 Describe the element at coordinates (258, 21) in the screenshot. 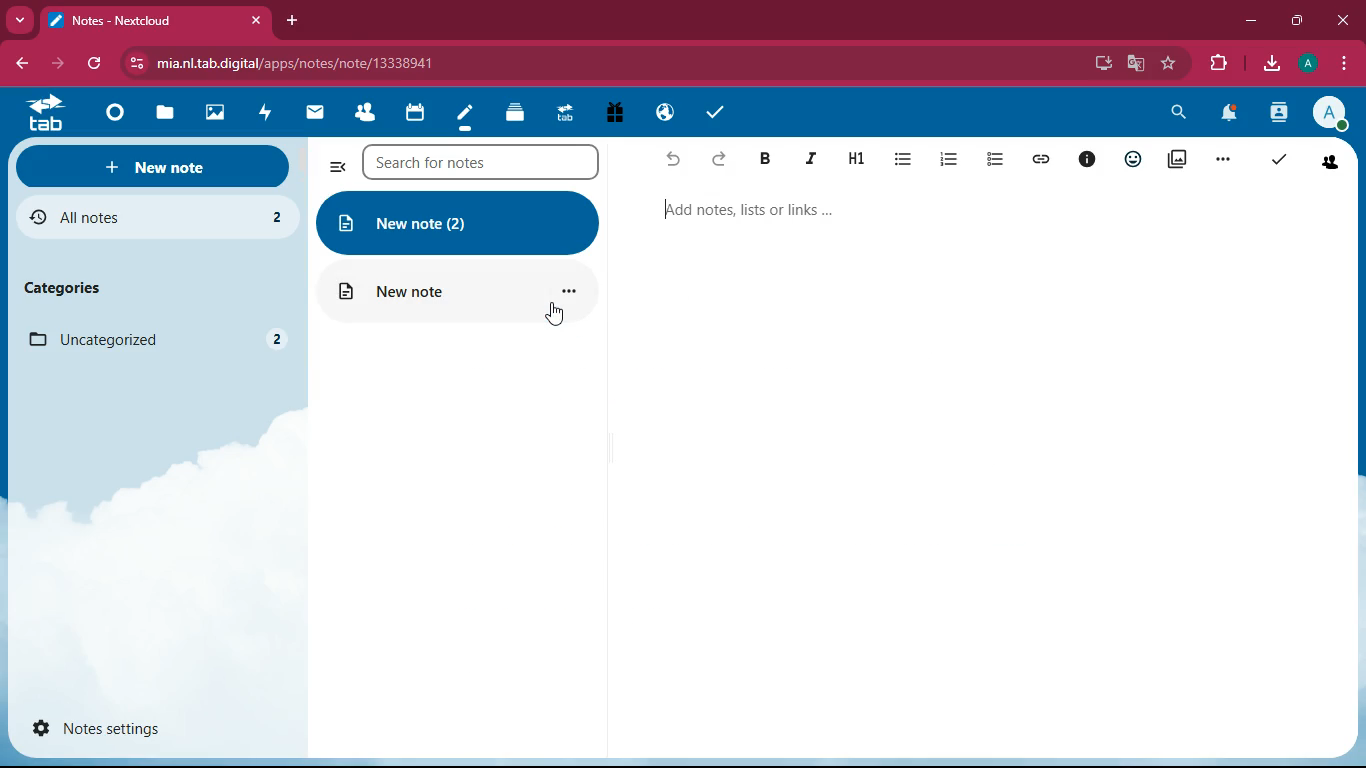

I see `close` at that location.